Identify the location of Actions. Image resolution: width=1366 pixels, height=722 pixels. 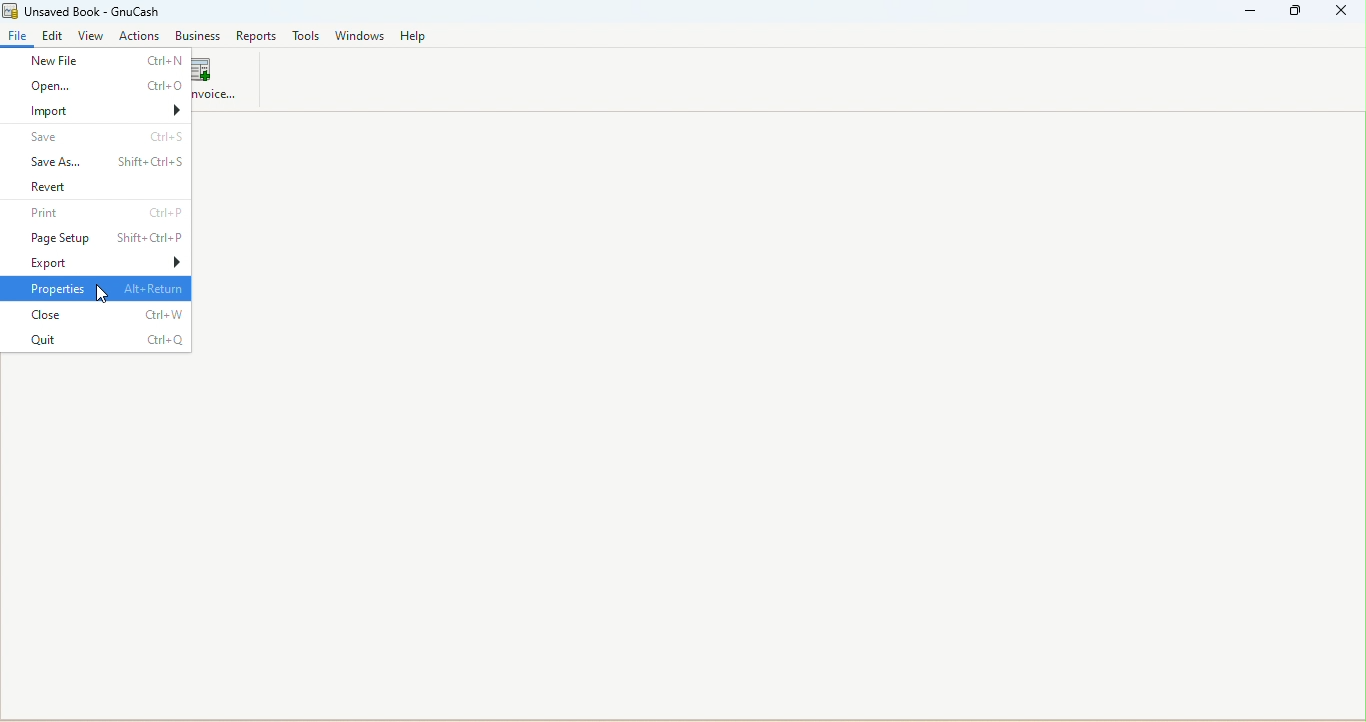
(141, 36).